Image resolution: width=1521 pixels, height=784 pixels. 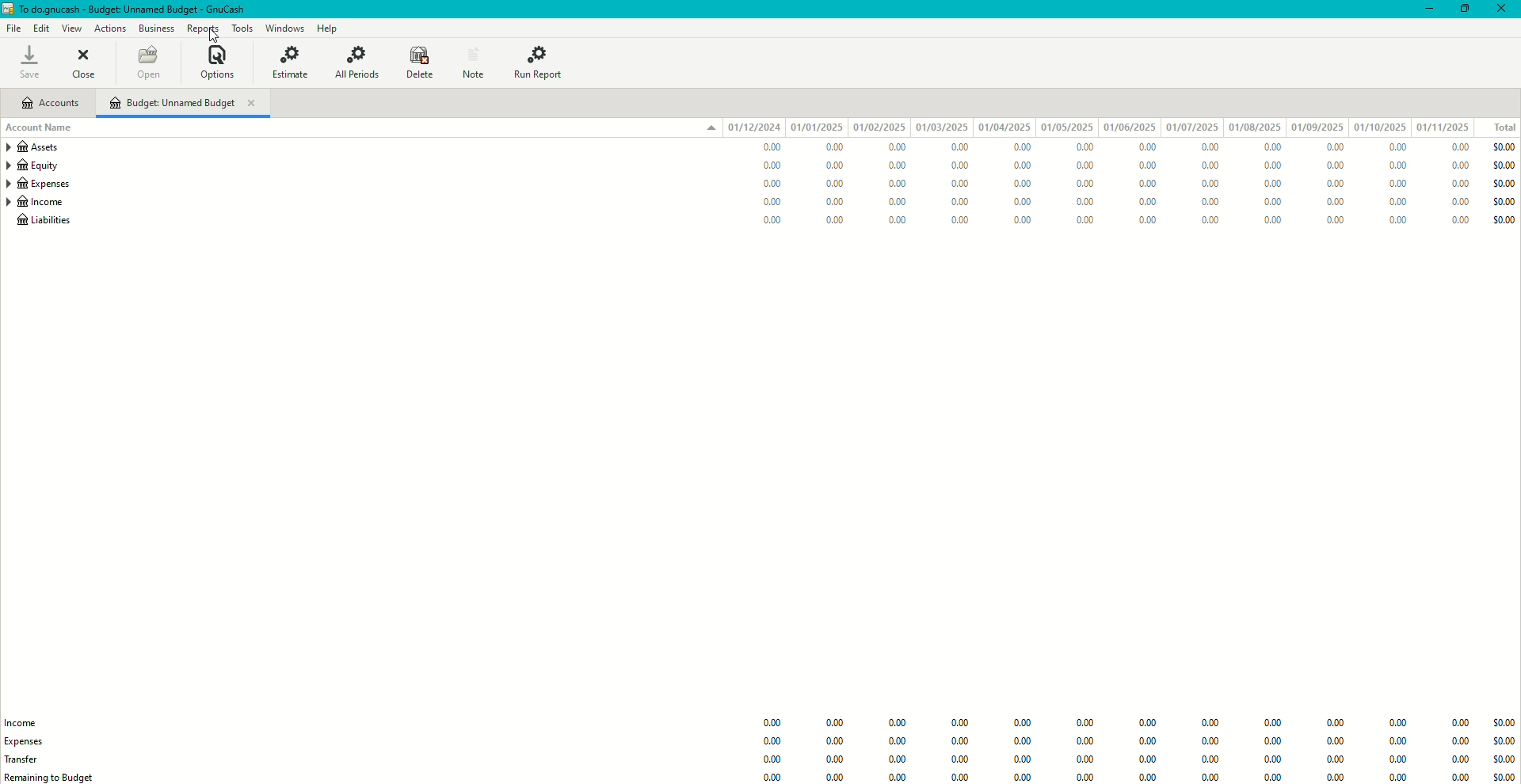 I want to click on Business, so click(x=156, y=27).